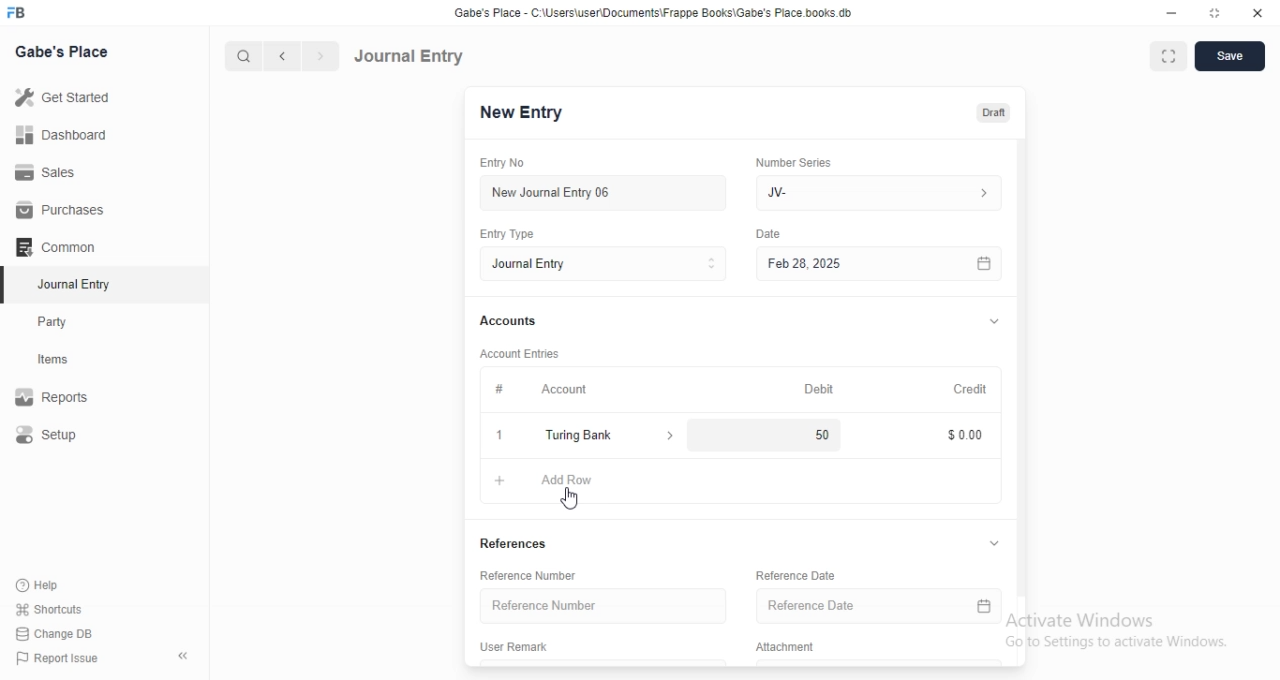  I want to click on Purchases, so click(63, 210).